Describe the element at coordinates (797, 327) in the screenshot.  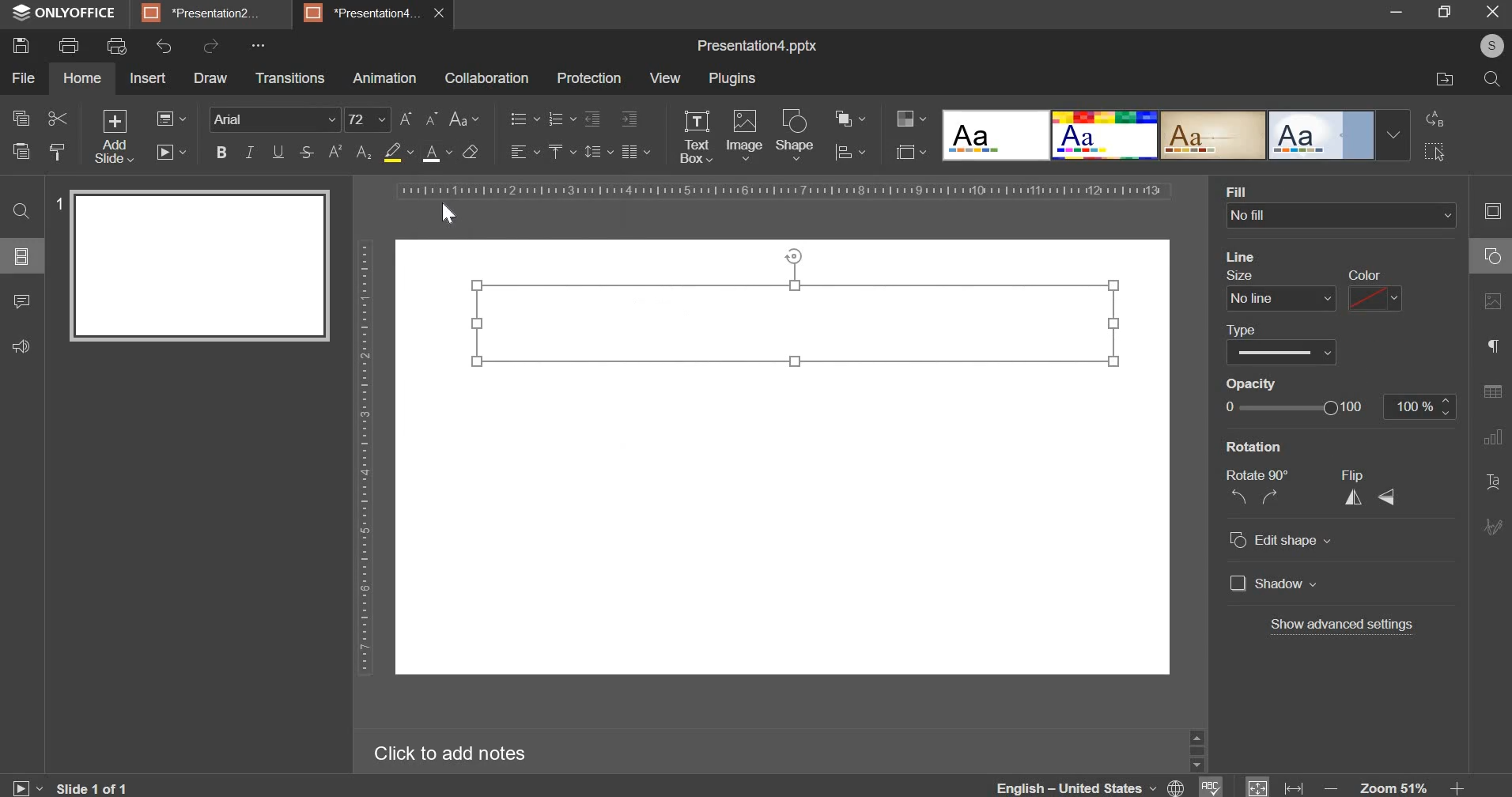
I see `Text color changed` at that location.